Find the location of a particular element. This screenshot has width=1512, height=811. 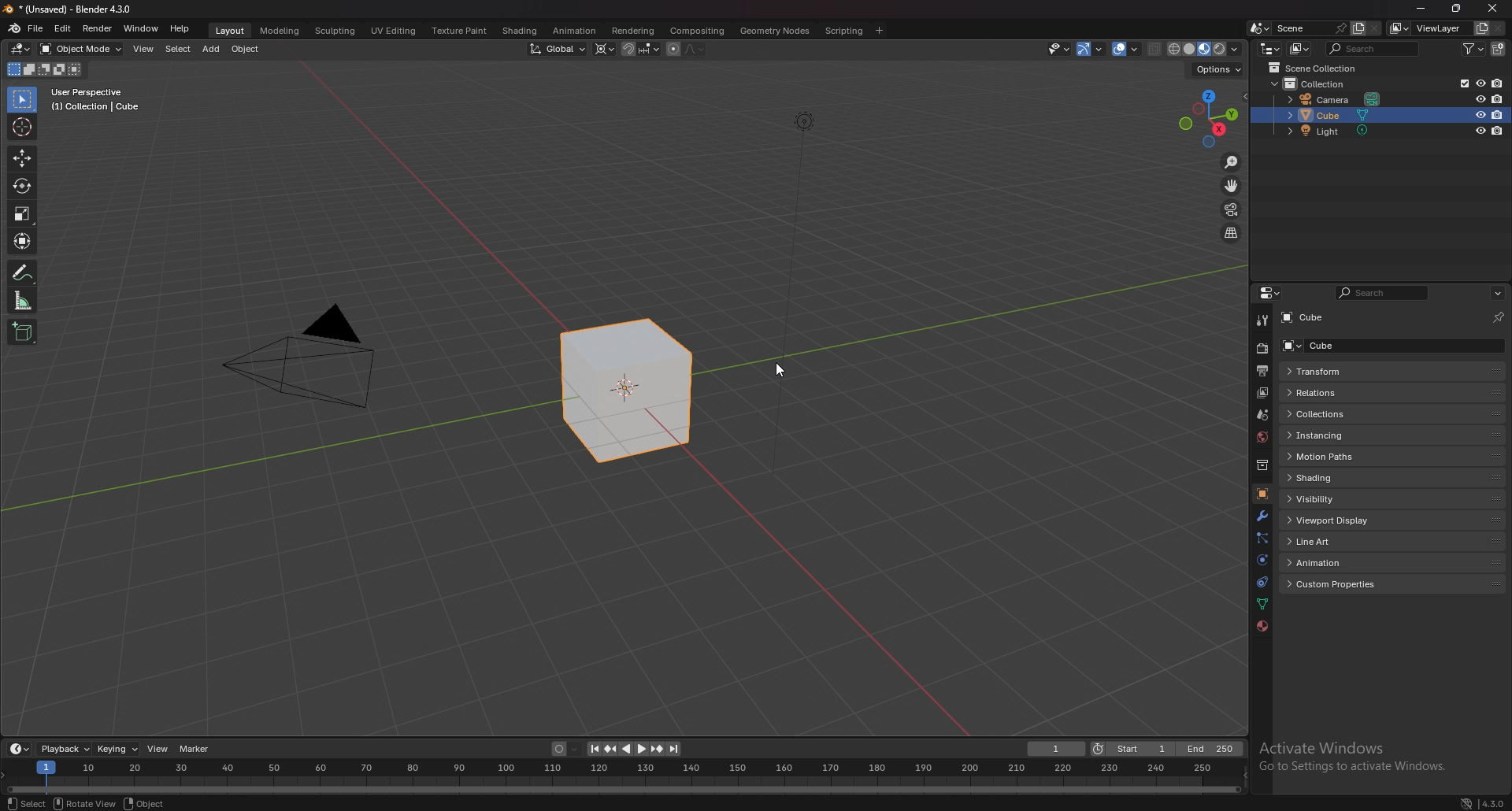

transform is located at coordinates (21, 239).